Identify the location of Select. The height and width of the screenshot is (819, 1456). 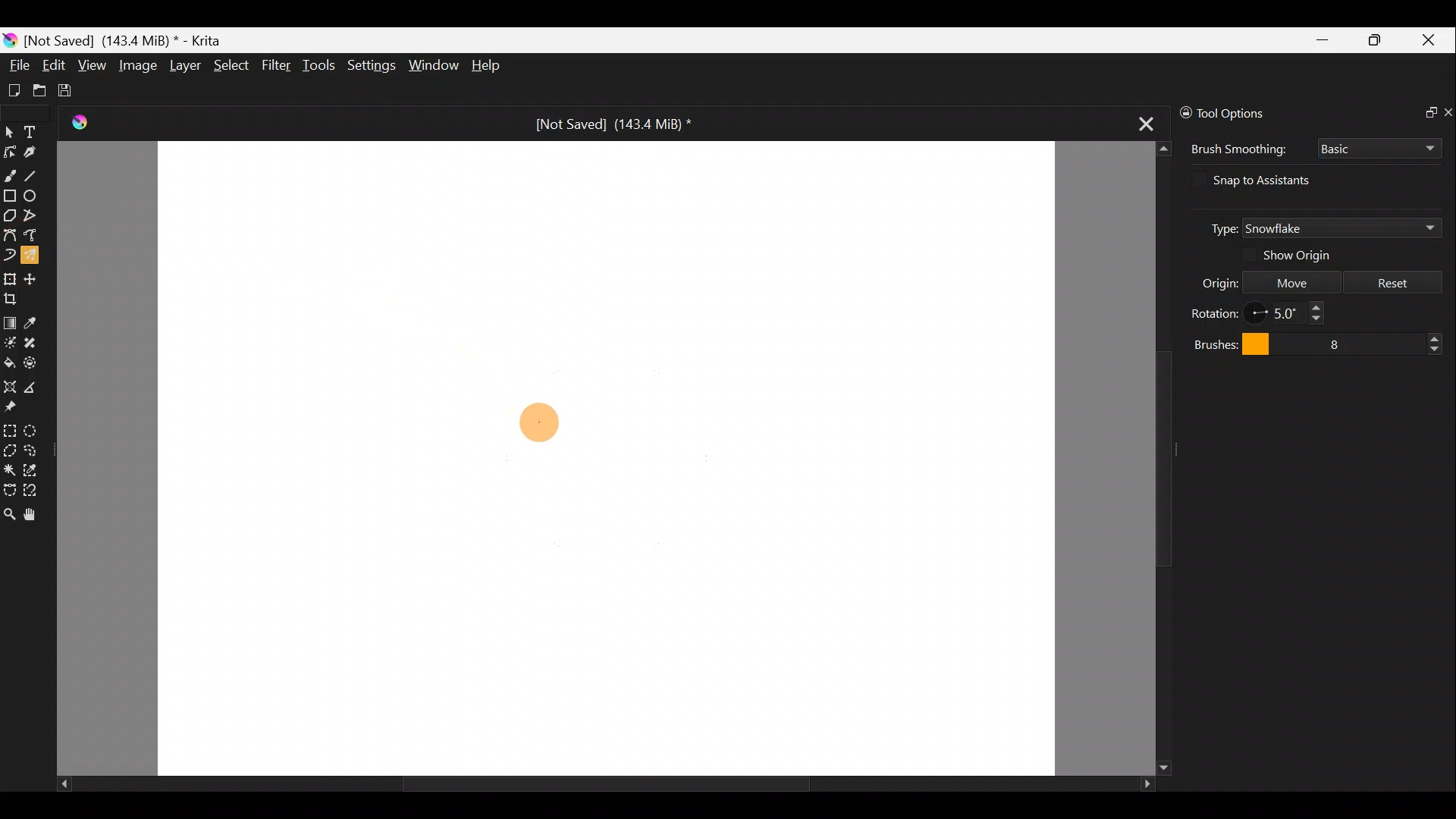
(232, 65).